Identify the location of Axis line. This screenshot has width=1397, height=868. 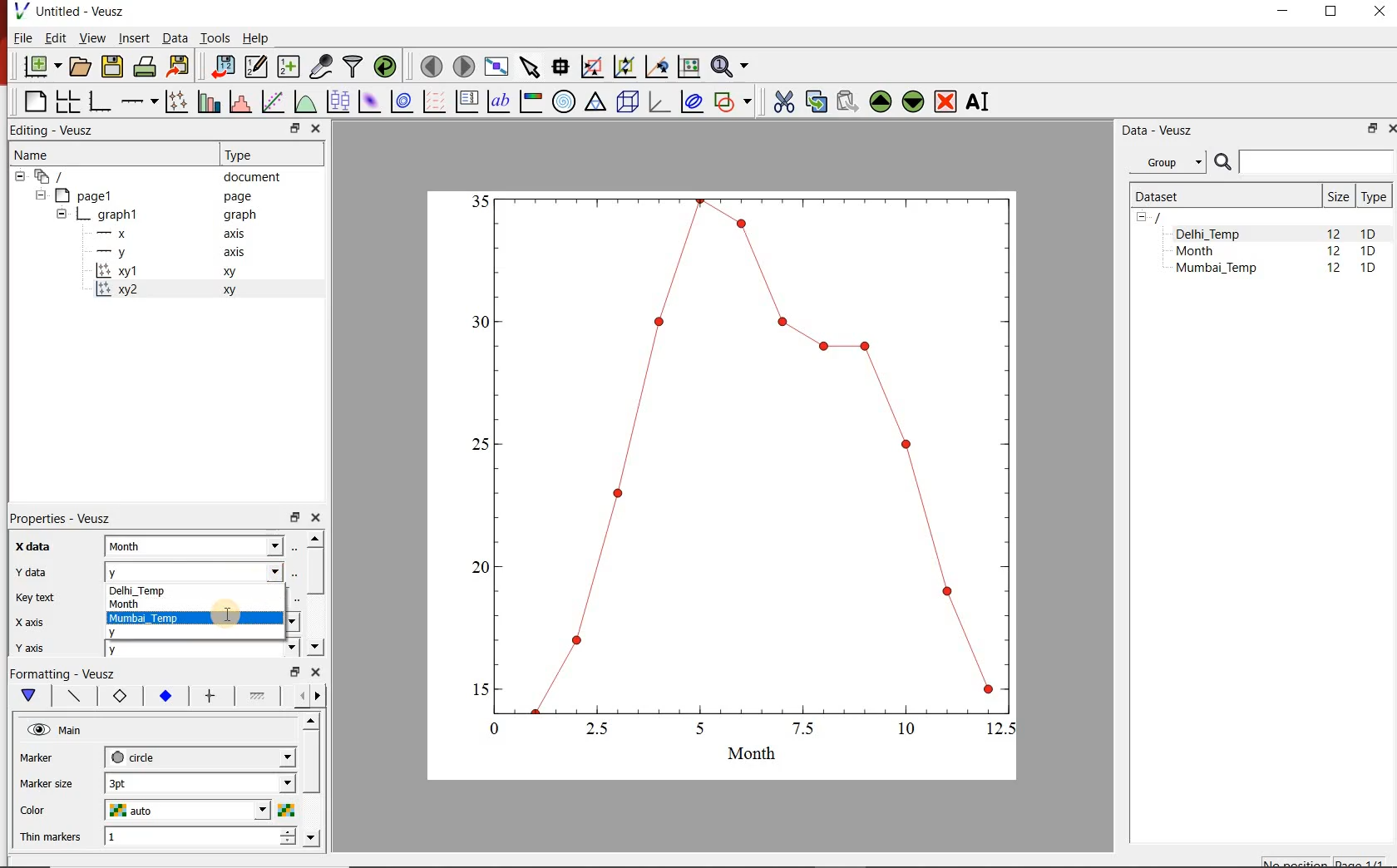
(72, 696).